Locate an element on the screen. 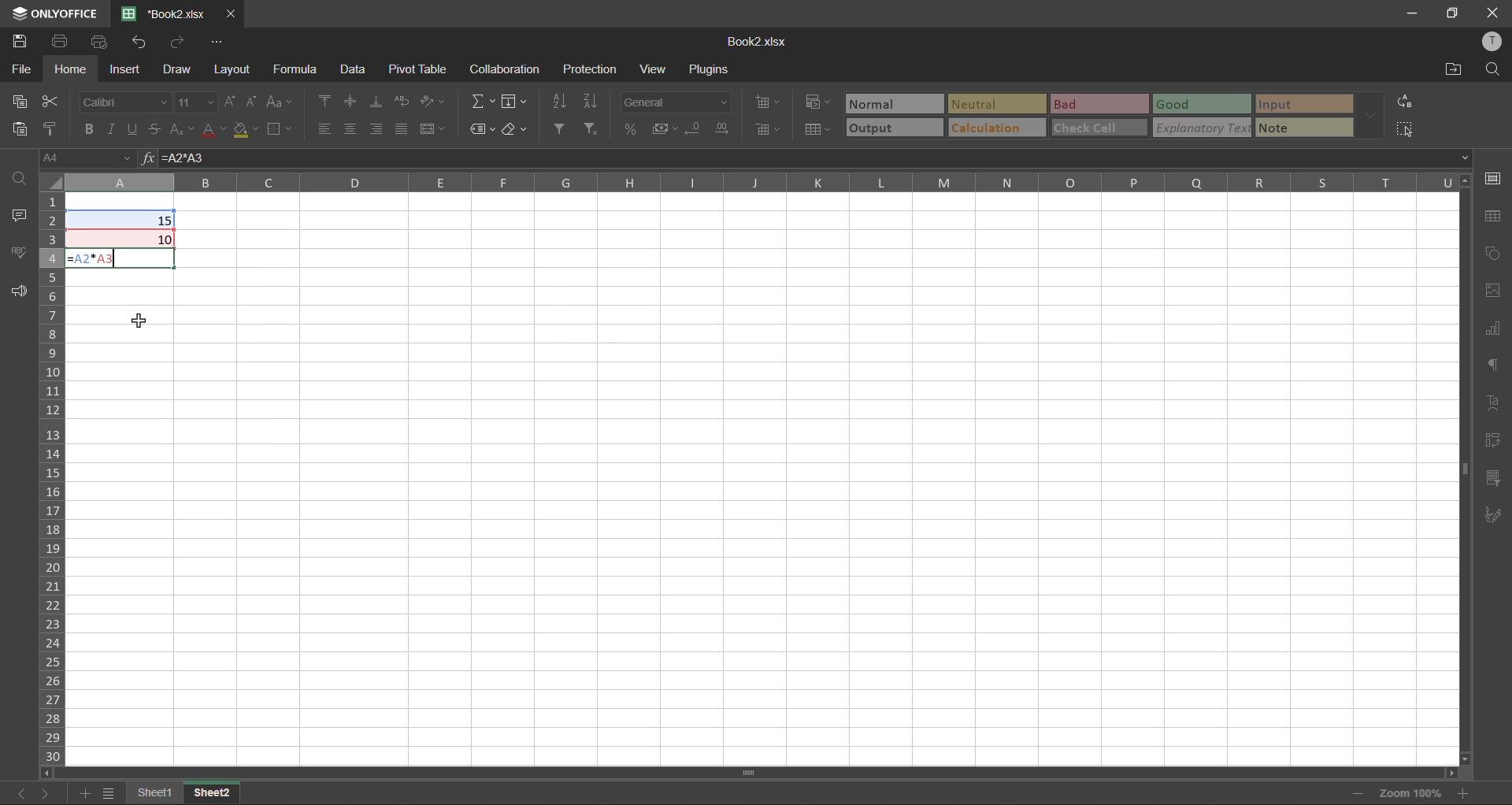 This screenshot has width=1512, height=805. bold is located at coordinates (87, 126).